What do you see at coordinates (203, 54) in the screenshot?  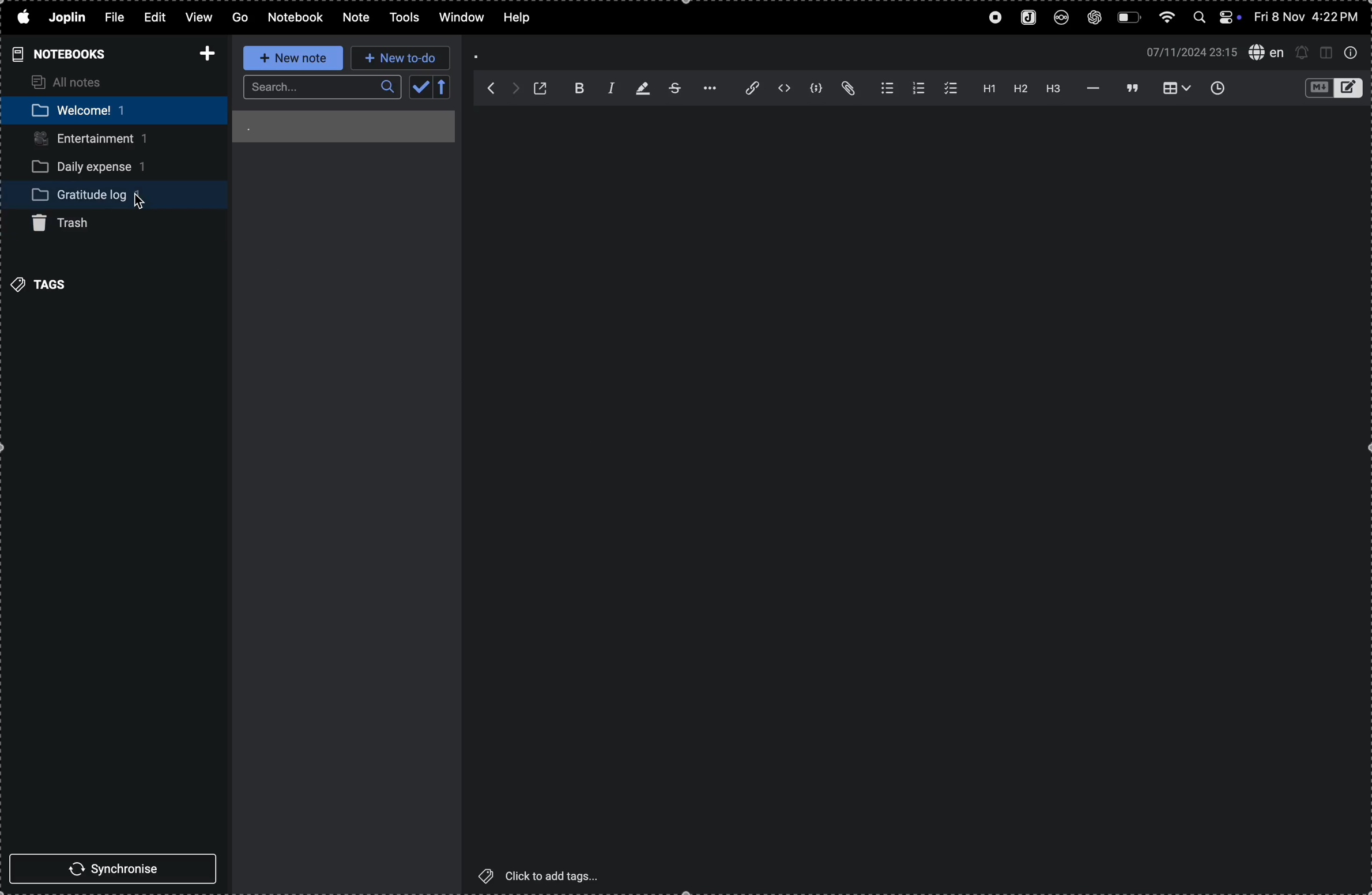 I see `add` at bounding box center [203, 54].